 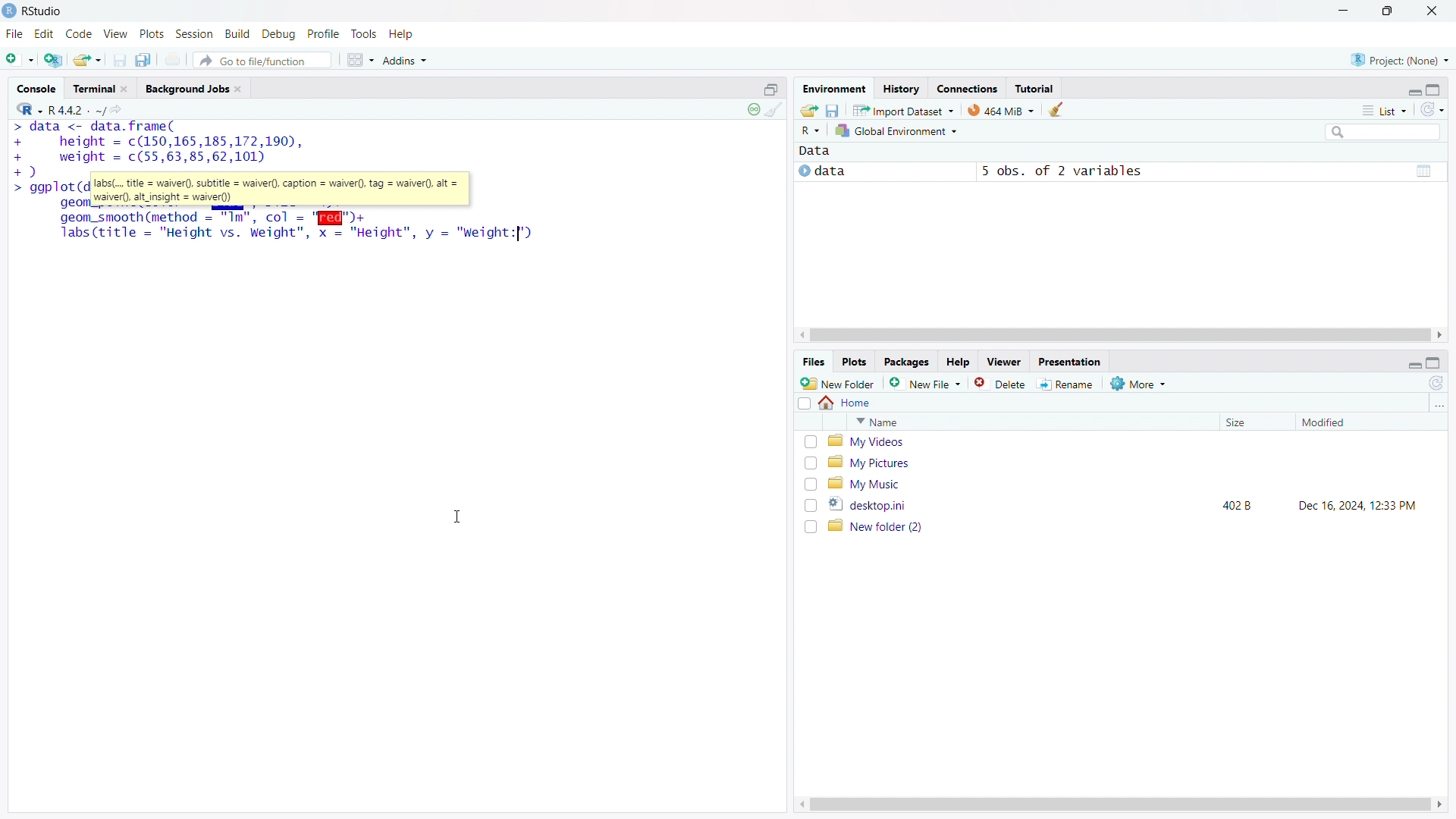 I want to click on tutorial, so click(x=1034, y=88).